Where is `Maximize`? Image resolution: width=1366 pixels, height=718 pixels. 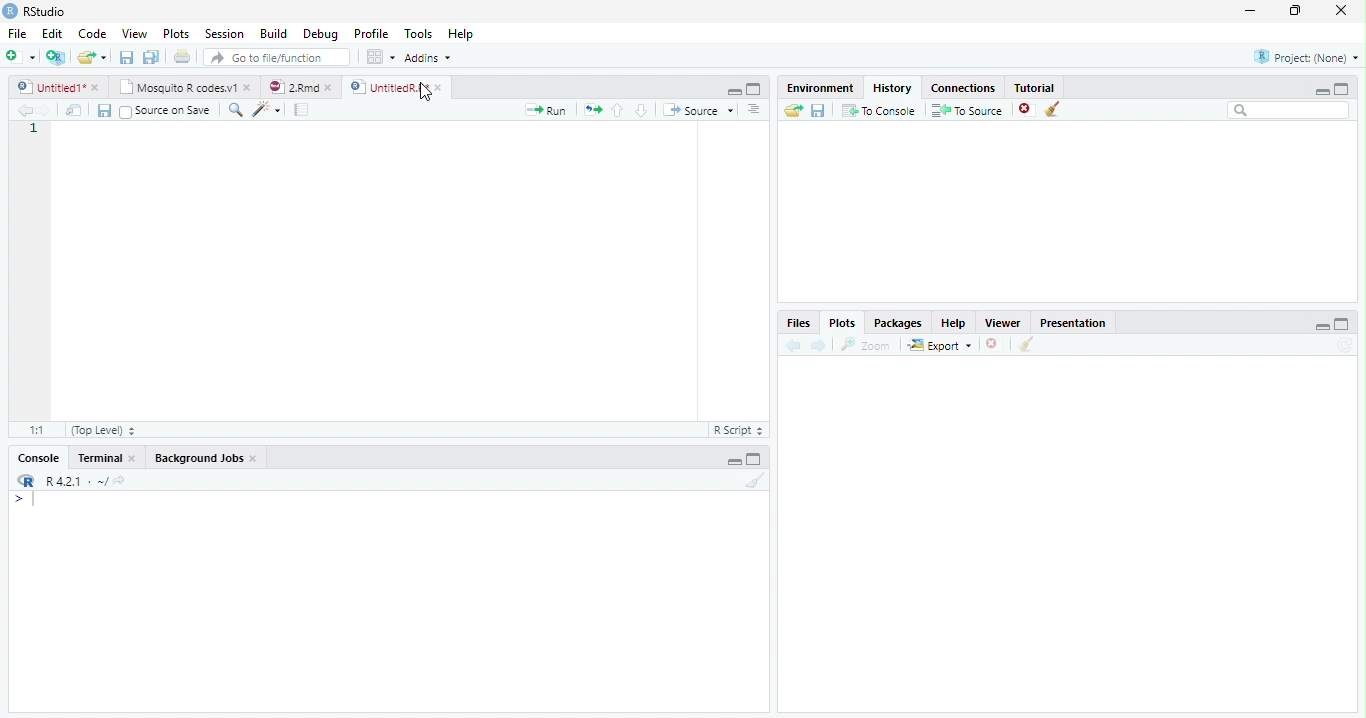
Maximize is located at coordinates (754, 90).